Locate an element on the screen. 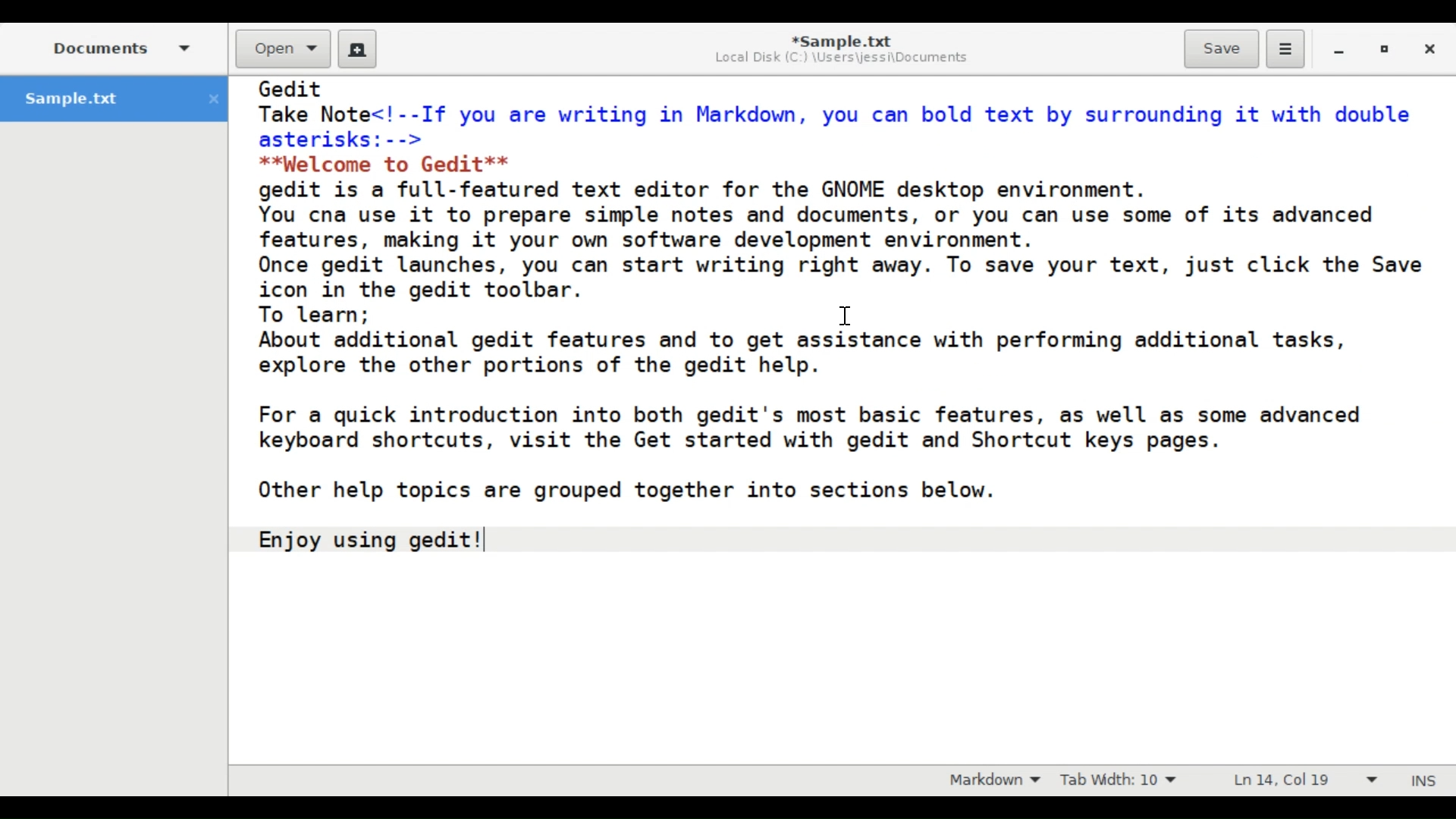  Sample.txt is located at coordinates (117, 99).